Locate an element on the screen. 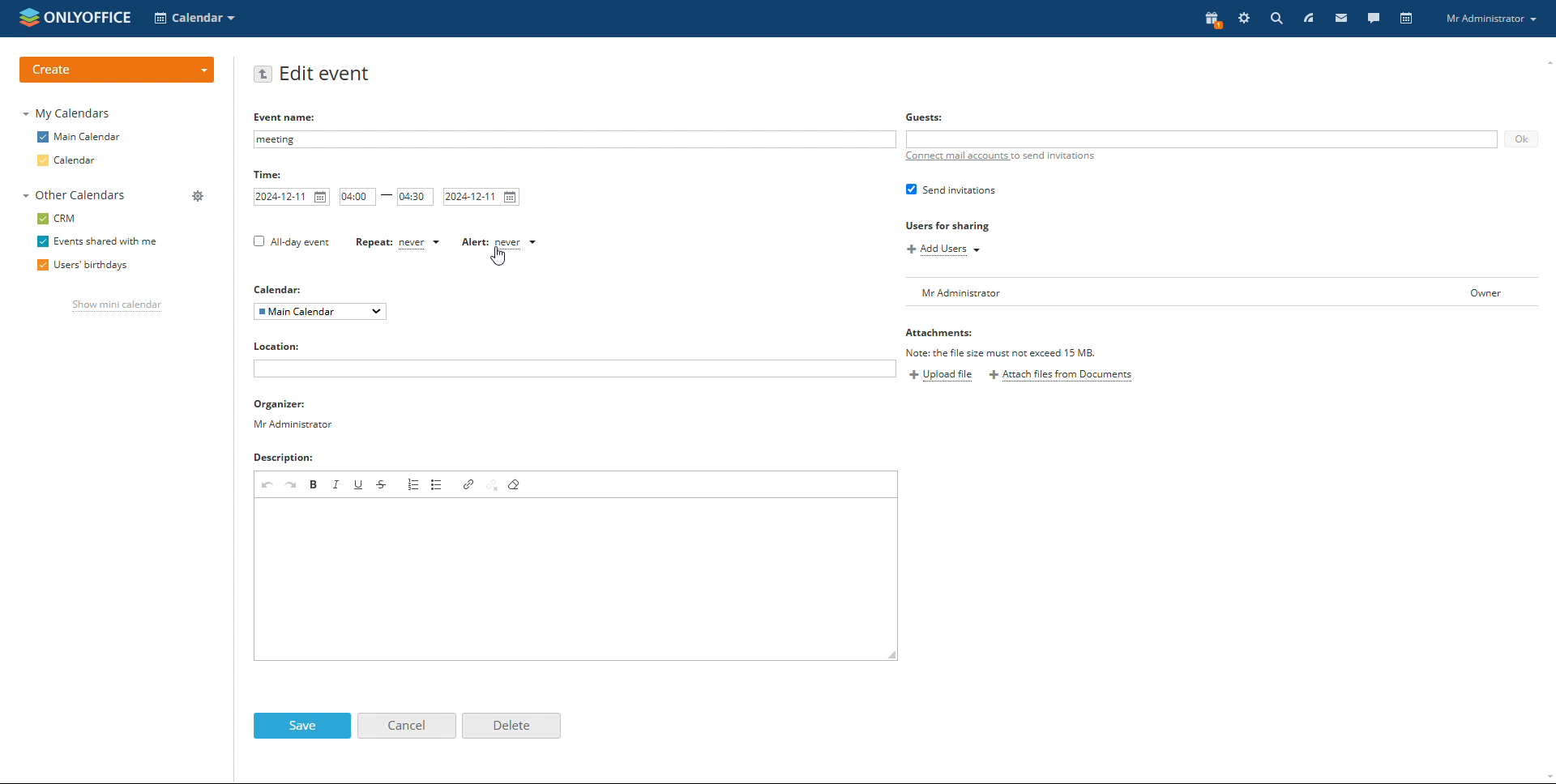 This screenshot has height=784, width=1556. link is located at coordinates (468, 484).